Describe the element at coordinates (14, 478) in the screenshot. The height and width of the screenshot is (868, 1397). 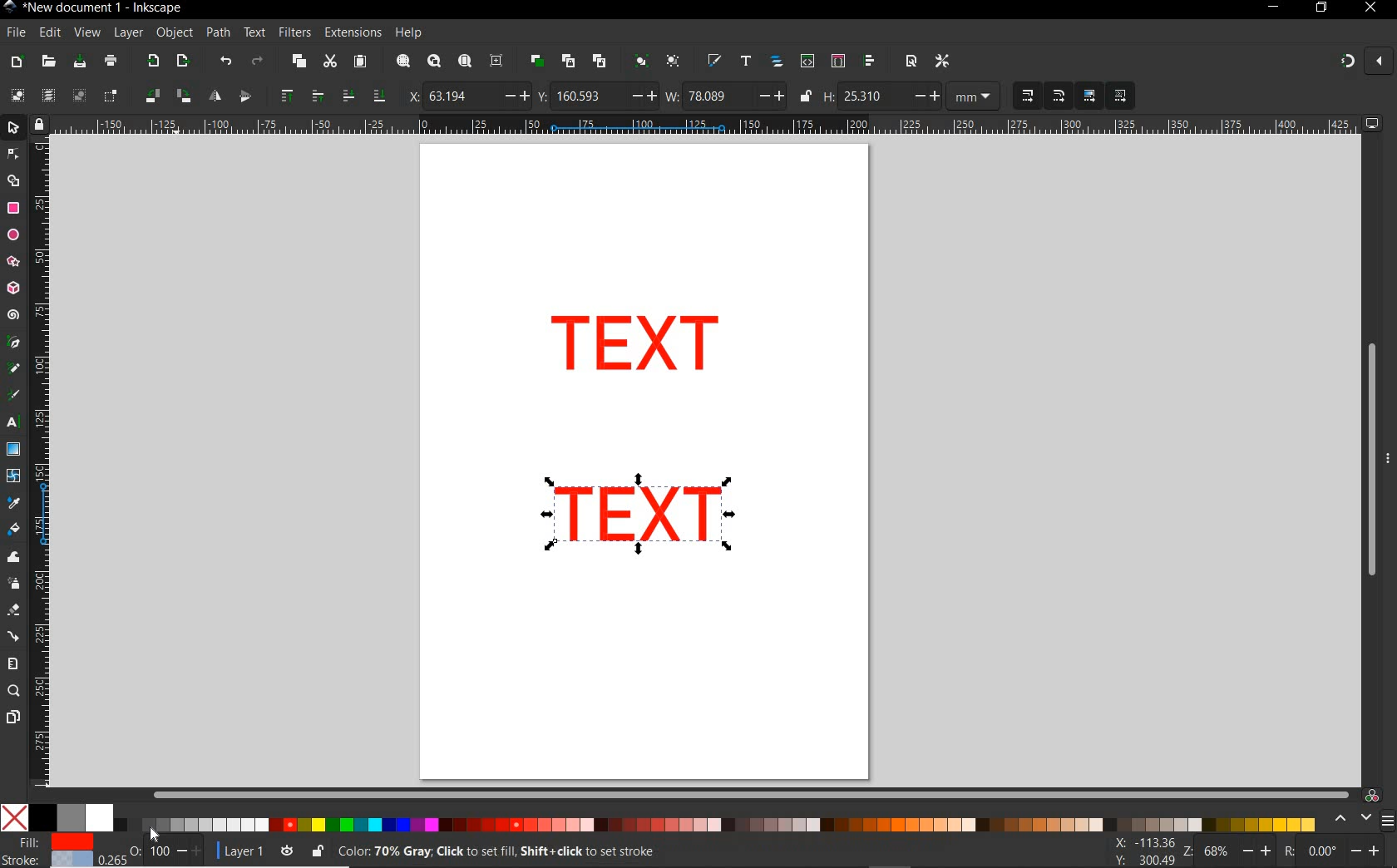
I see `mesh tool` at that location.